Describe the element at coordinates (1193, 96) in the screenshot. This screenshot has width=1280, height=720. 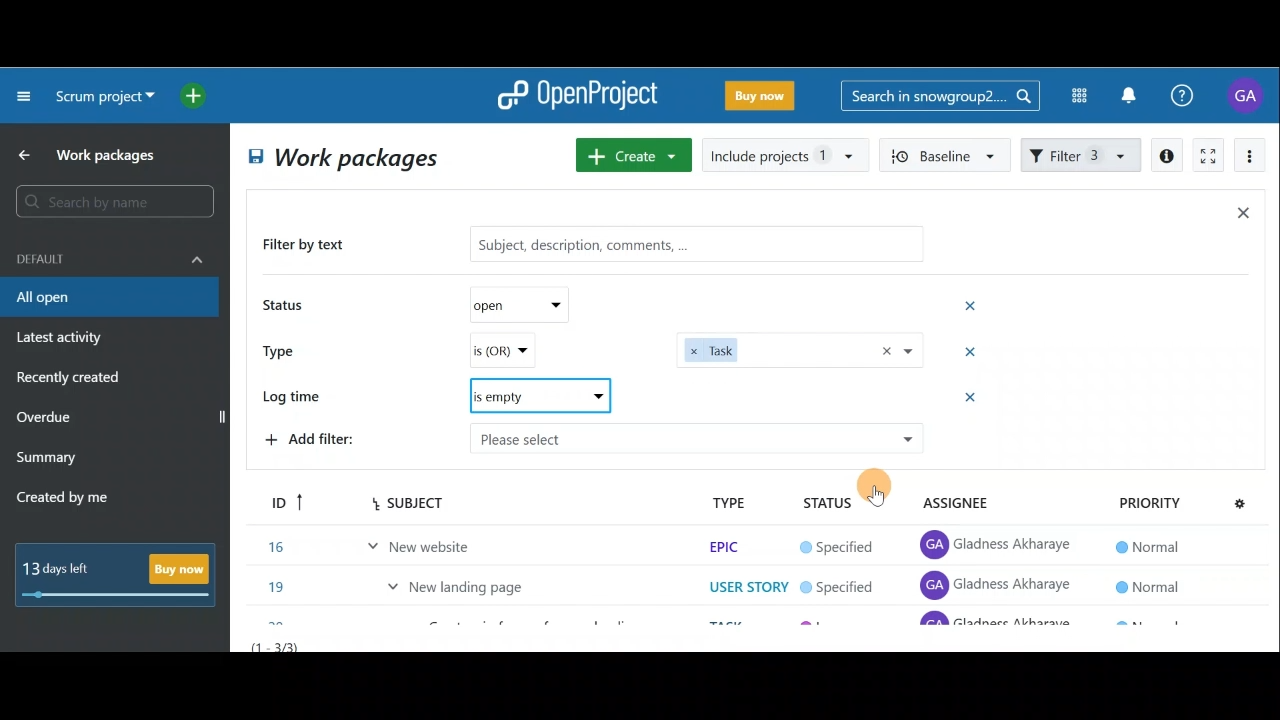
I see `Help` at that location.